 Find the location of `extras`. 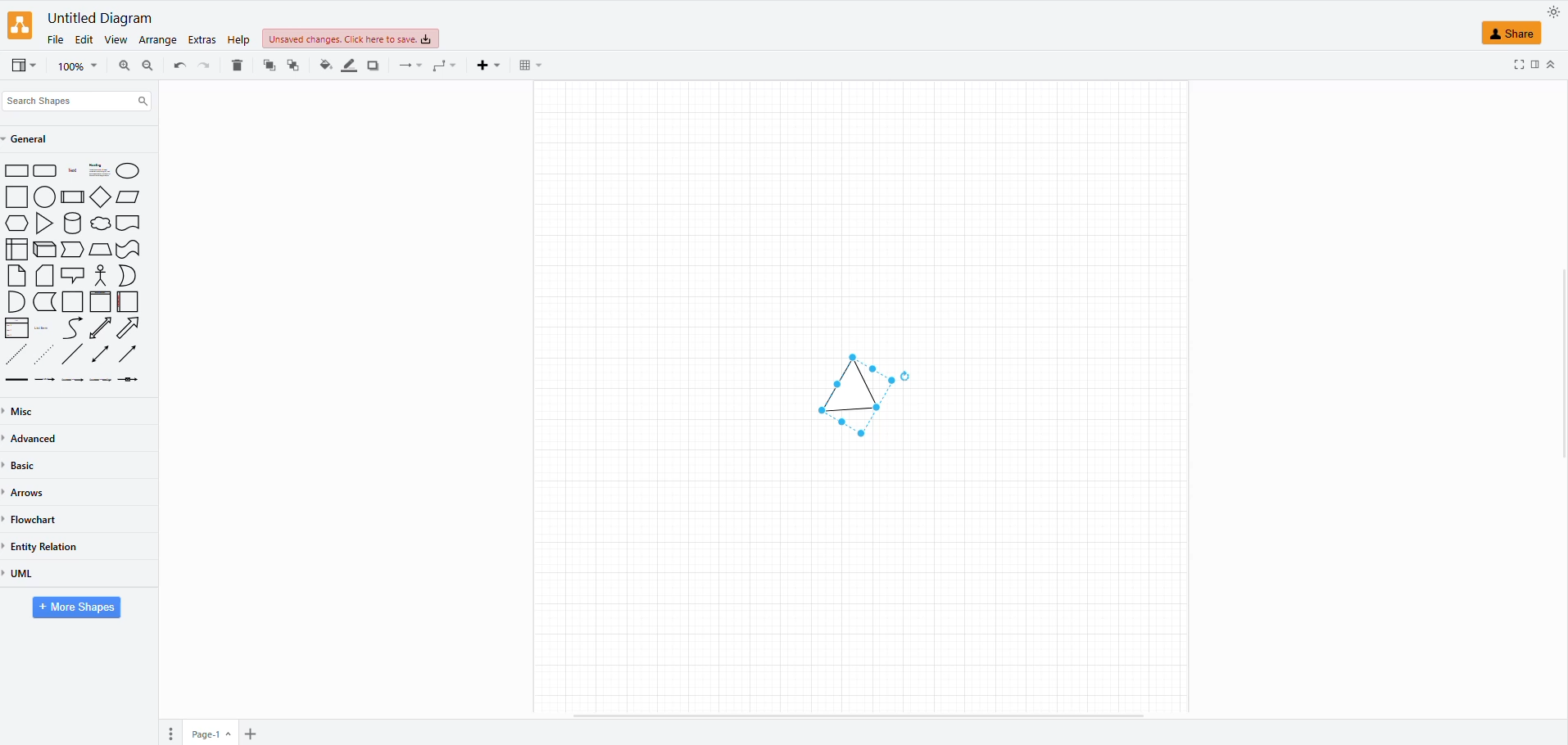

extras is located at coordinates (200, 40).